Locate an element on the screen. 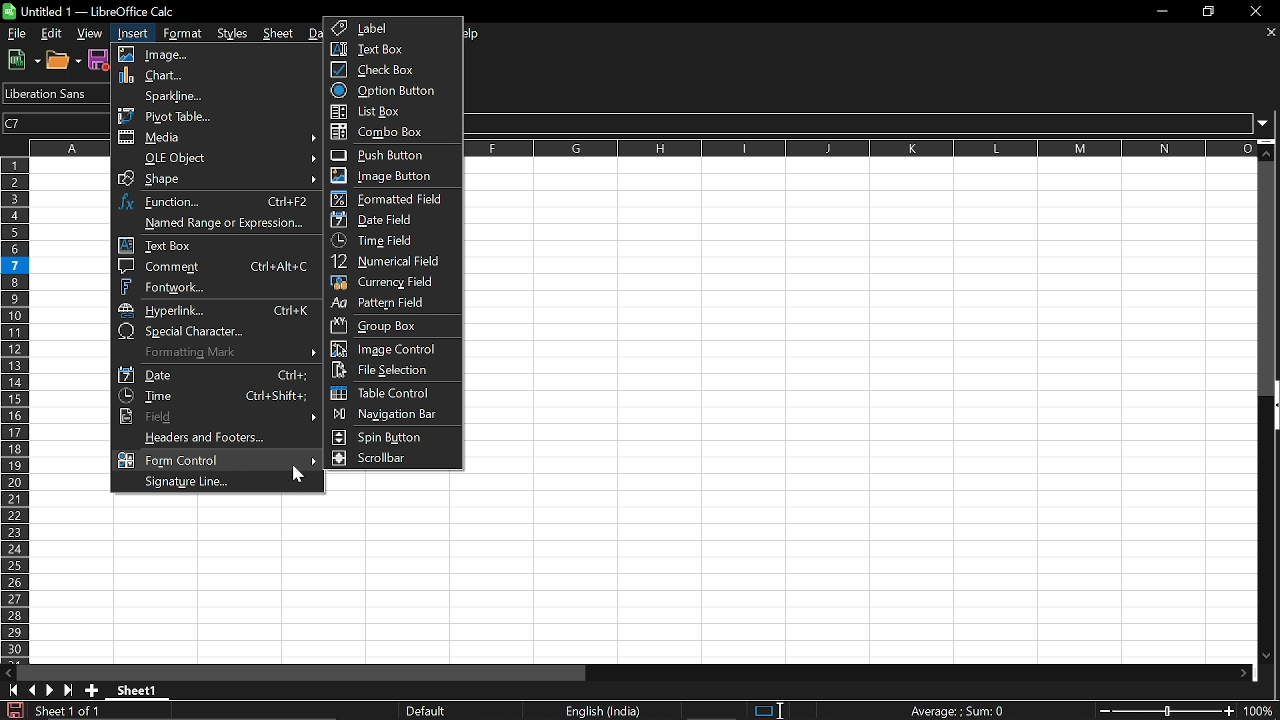 This screenshot has width=1280, height=720. Group Box is located at coordinates (380, 325).